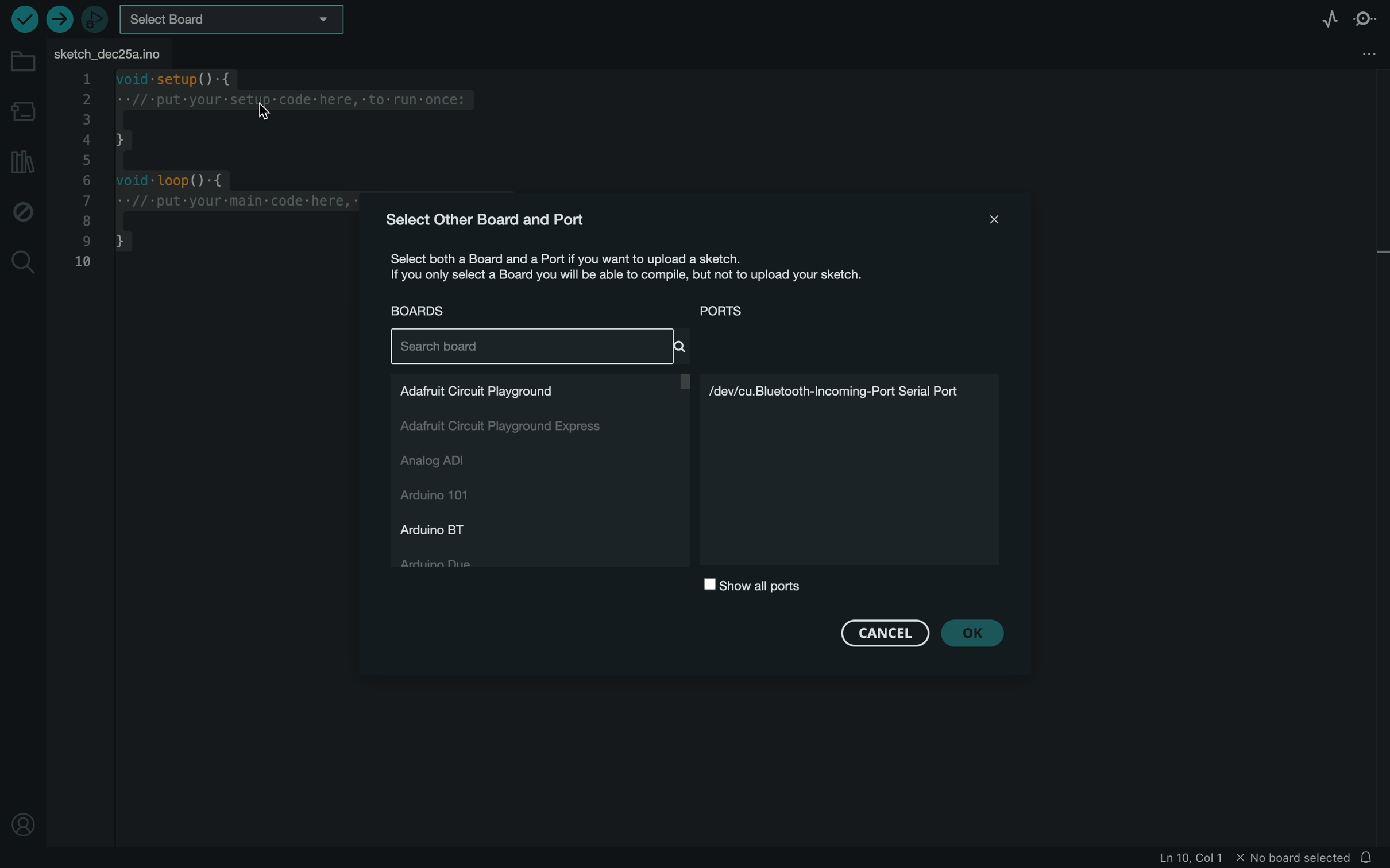 The image size is (1390, 868). I want to click on serial plotter, so click(1327, 19).